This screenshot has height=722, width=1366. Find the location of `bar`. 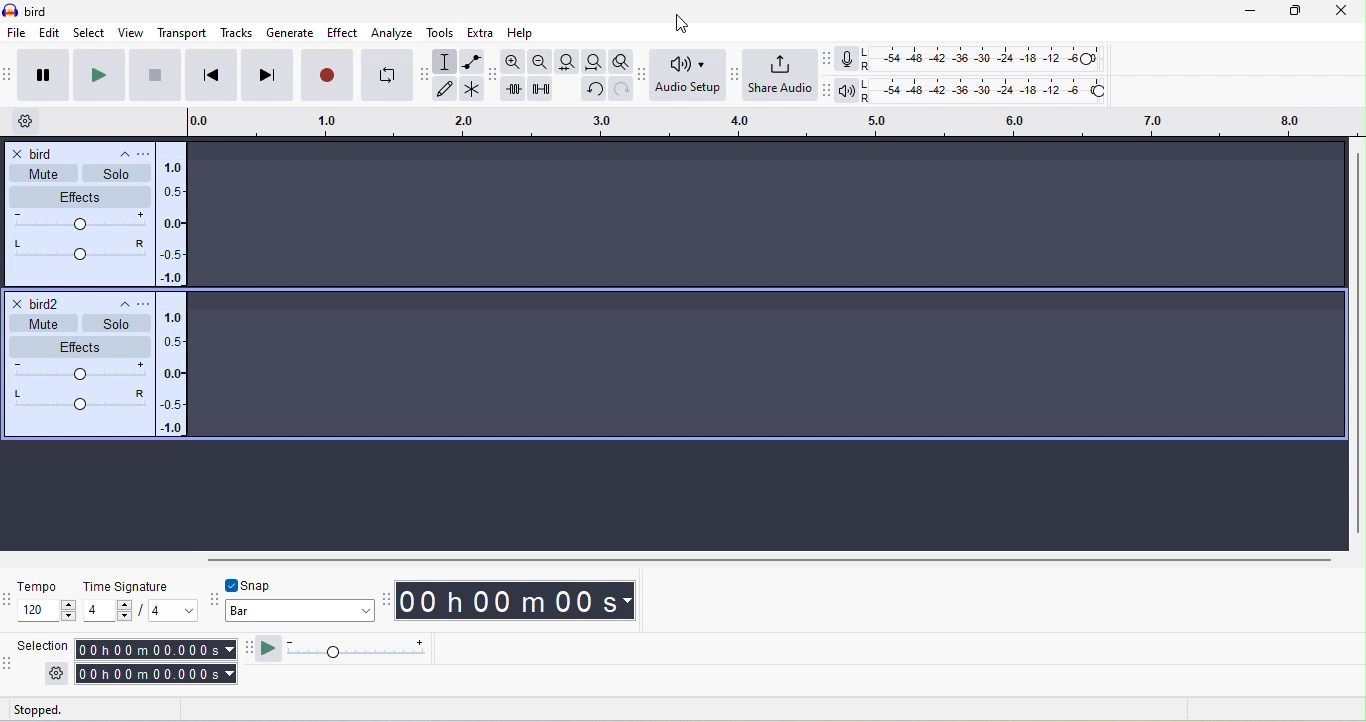

bar is located at coordinates (298, 611).